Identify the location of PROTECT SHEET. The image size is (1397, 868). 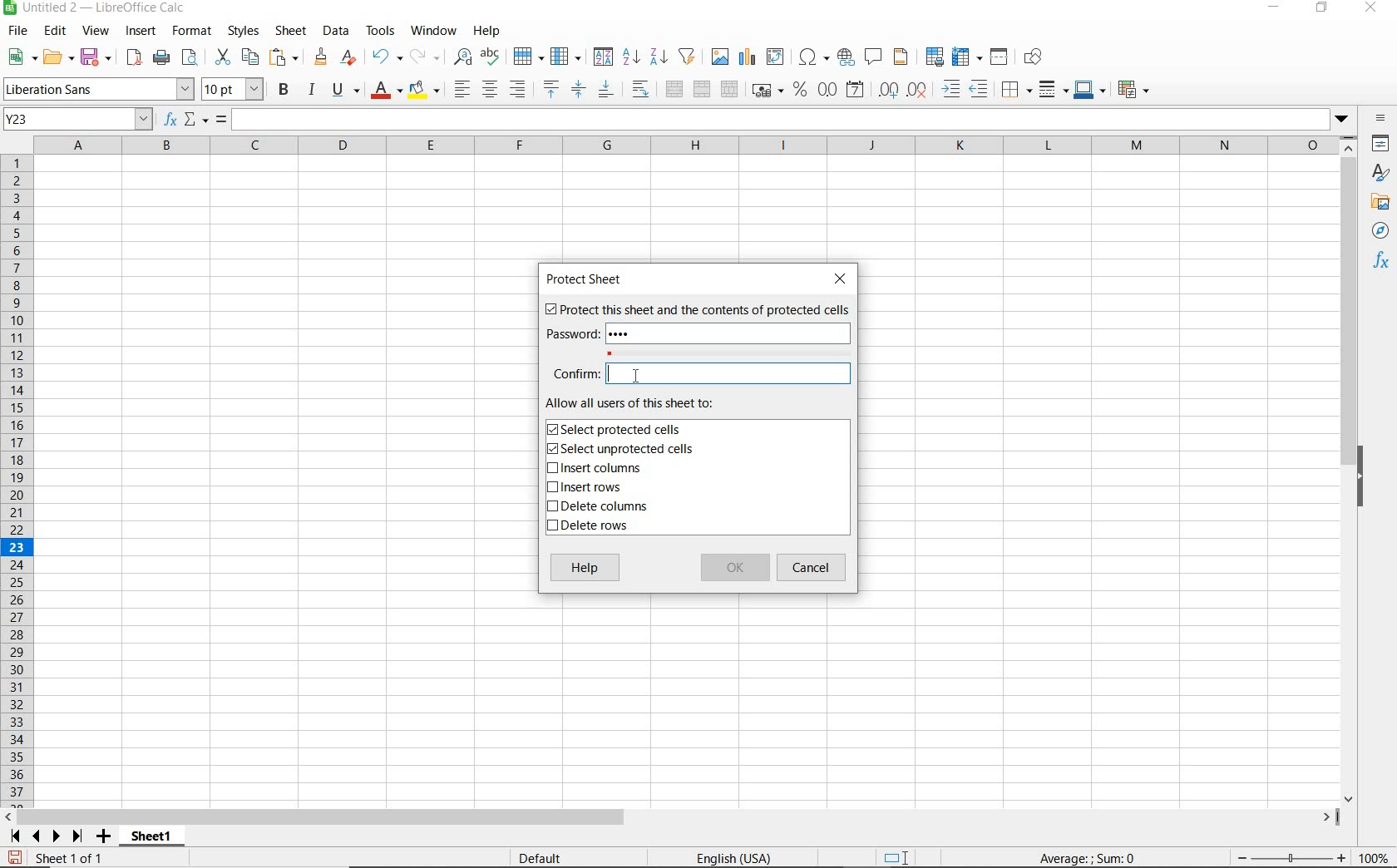
(588, 279).